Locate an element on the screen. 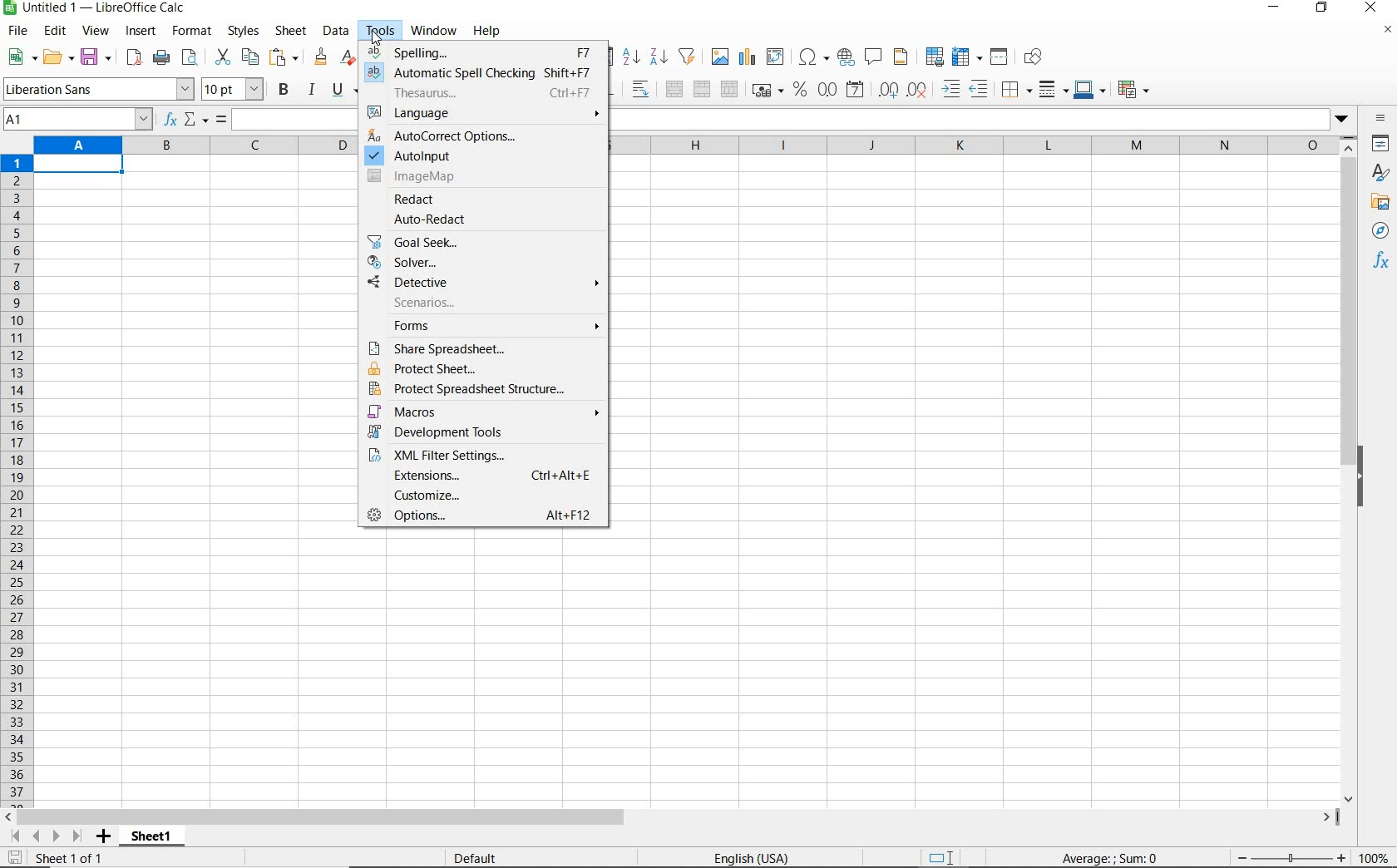 The width and height of the screenshot is (1397, 868). format as number is located at coordinates (828, 88).